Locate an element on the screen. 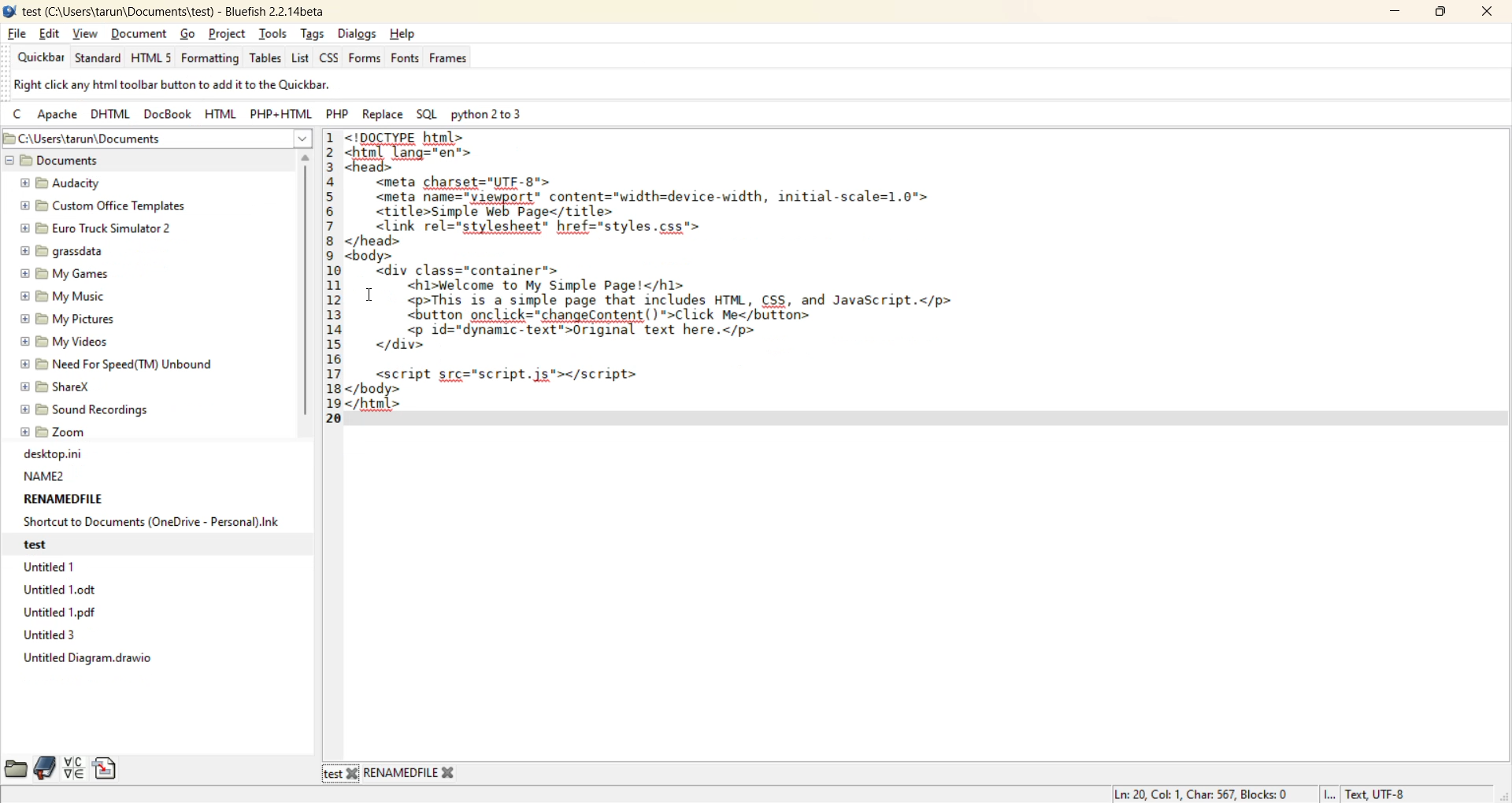 Image resolution: width=1512 pixels, height=803 pixels. desktop.ini is located at coordinates (54, 454).